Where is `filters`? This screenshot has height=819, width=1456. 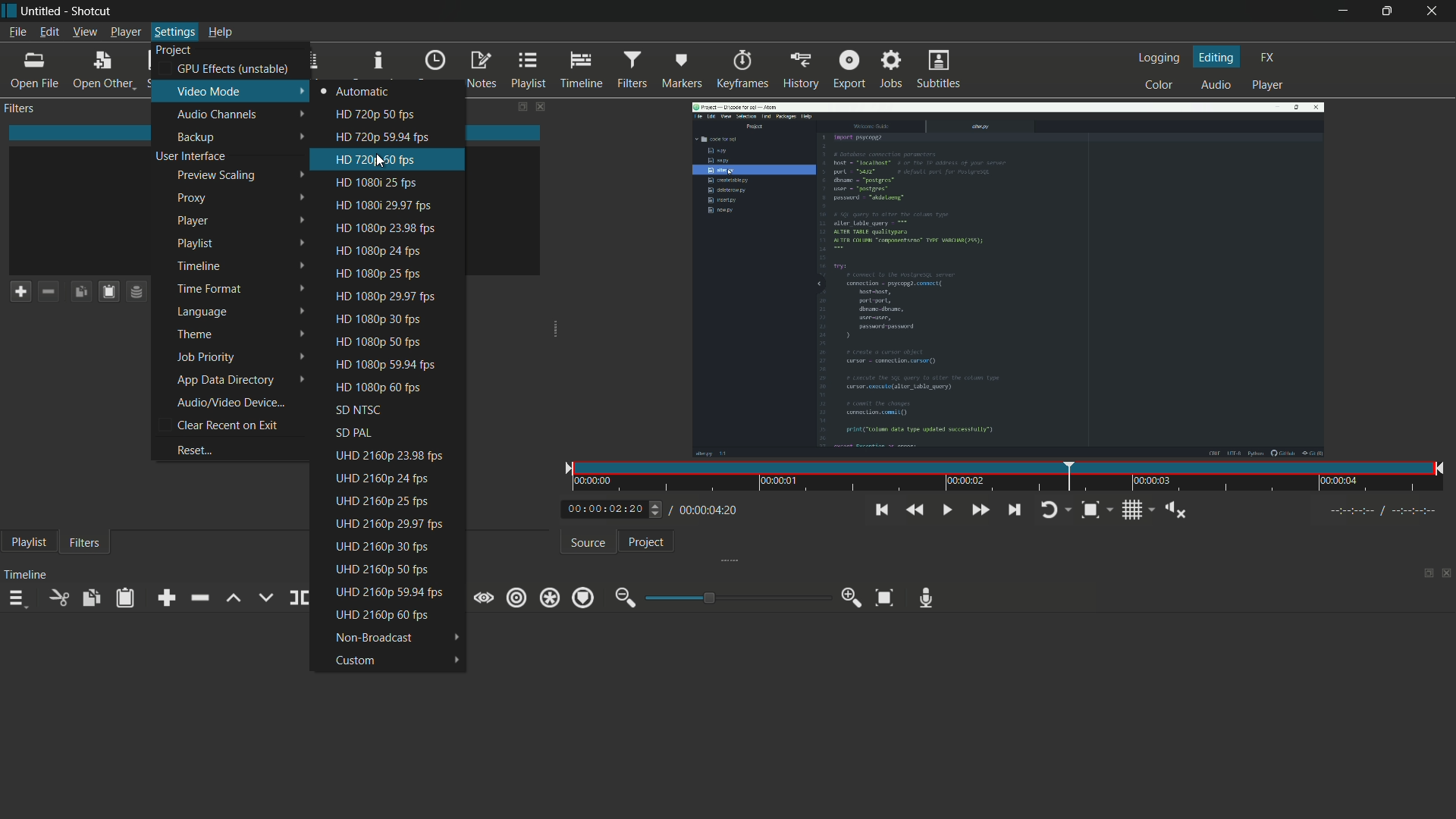
filters is located at coordinates (83, 544).